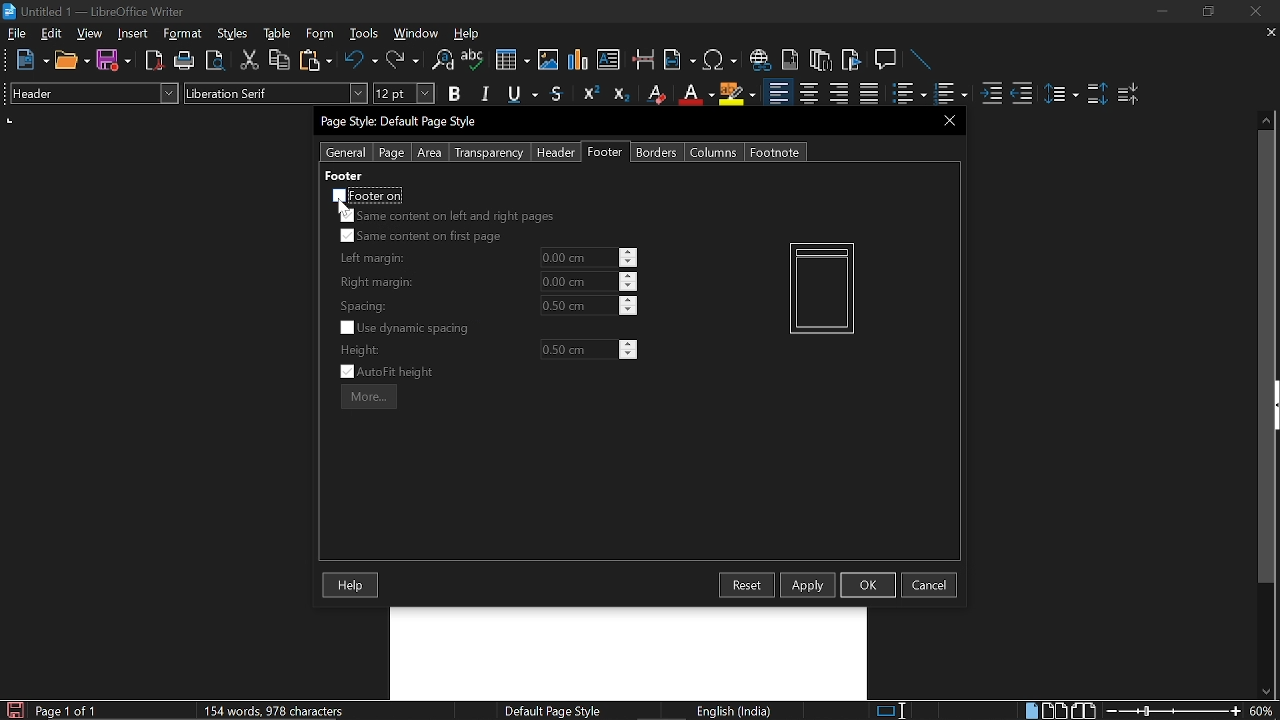  I want to click on Insert page break, so click(642, 60).